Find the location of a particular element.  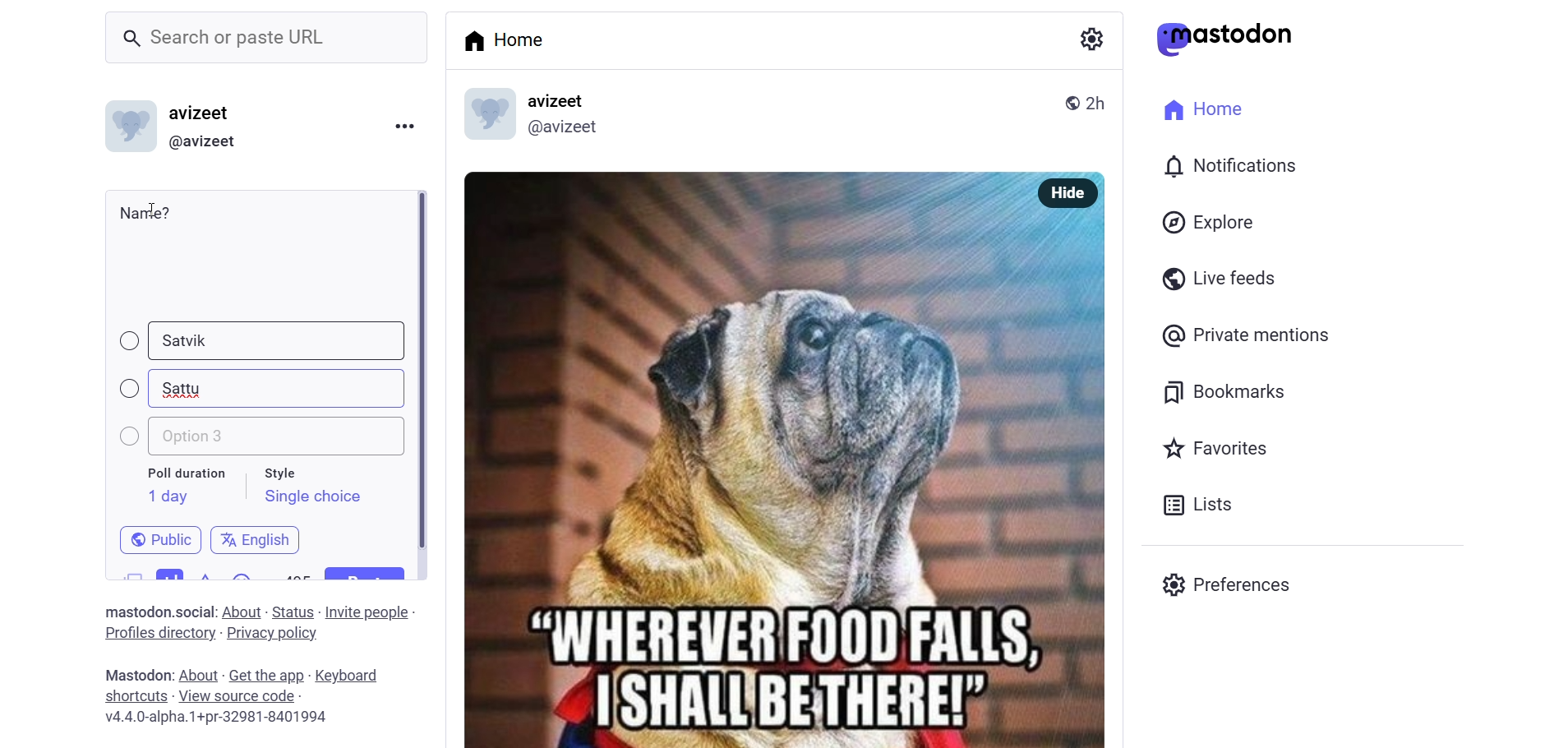

style is located at coordinates (284, 470).